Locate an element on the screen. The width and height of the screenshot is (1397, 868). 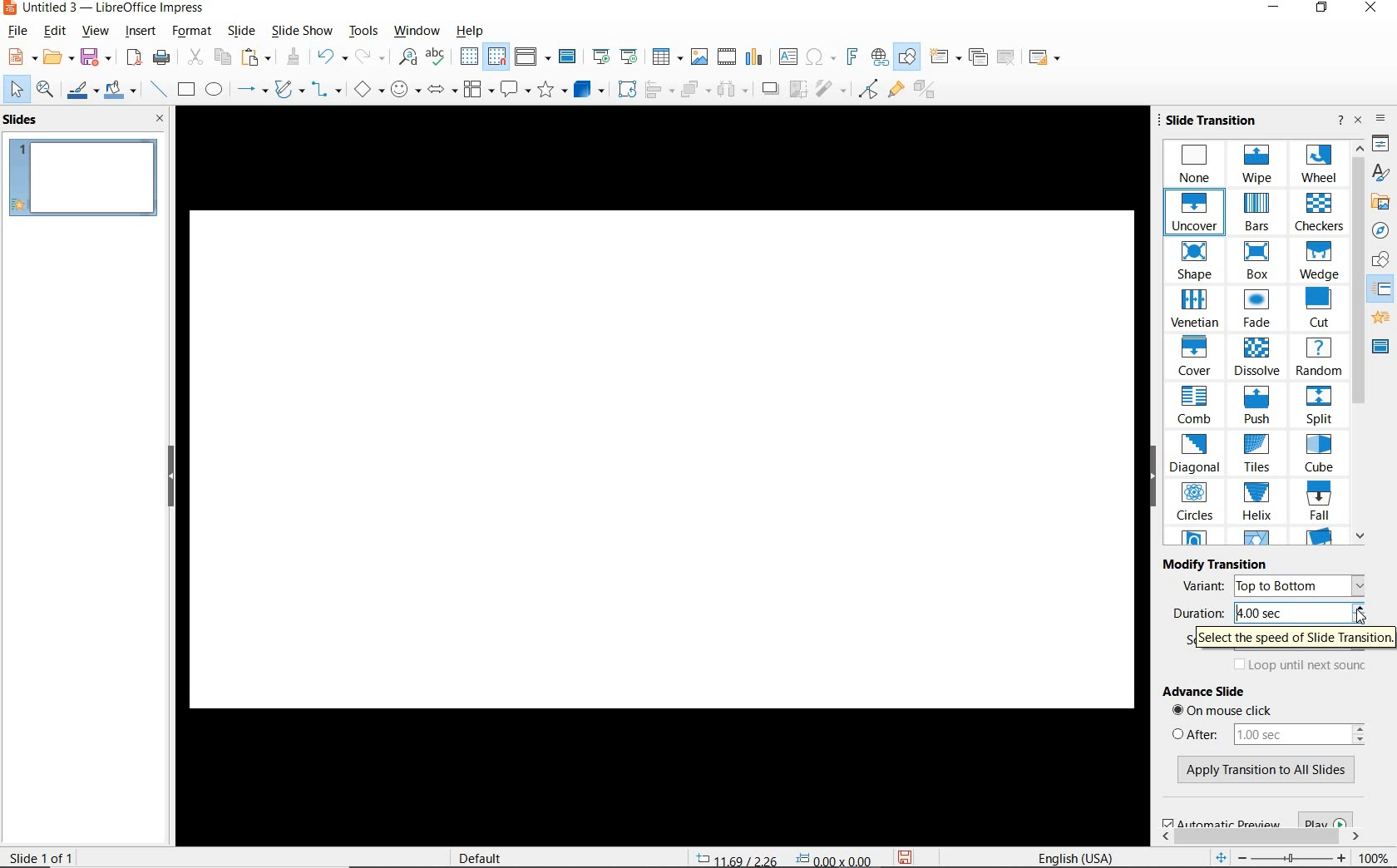
INSERT TEXT BOX is located at coordinates (787, 57).